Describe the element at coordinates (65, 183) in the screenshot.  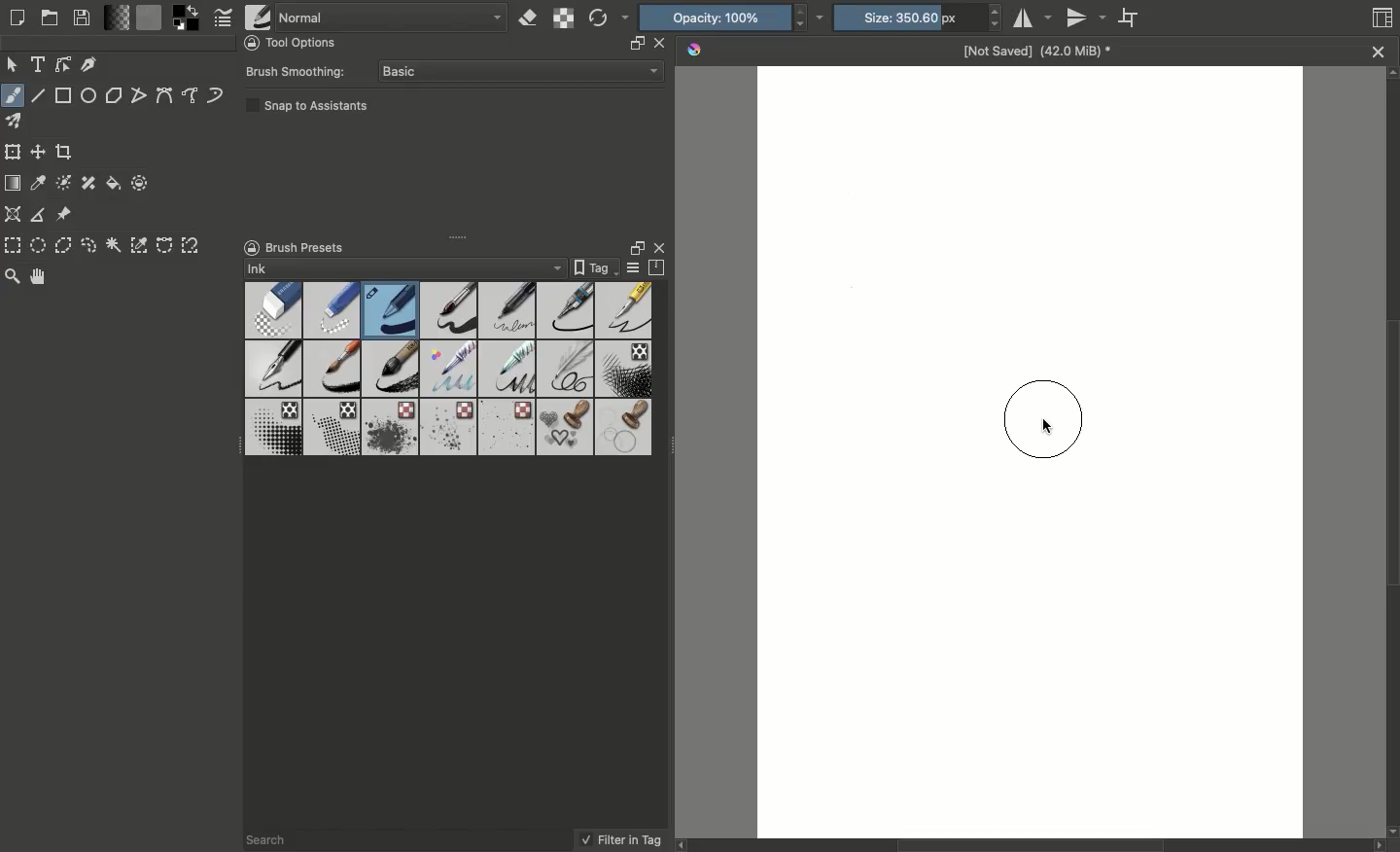
I see `Colorize` at that location.